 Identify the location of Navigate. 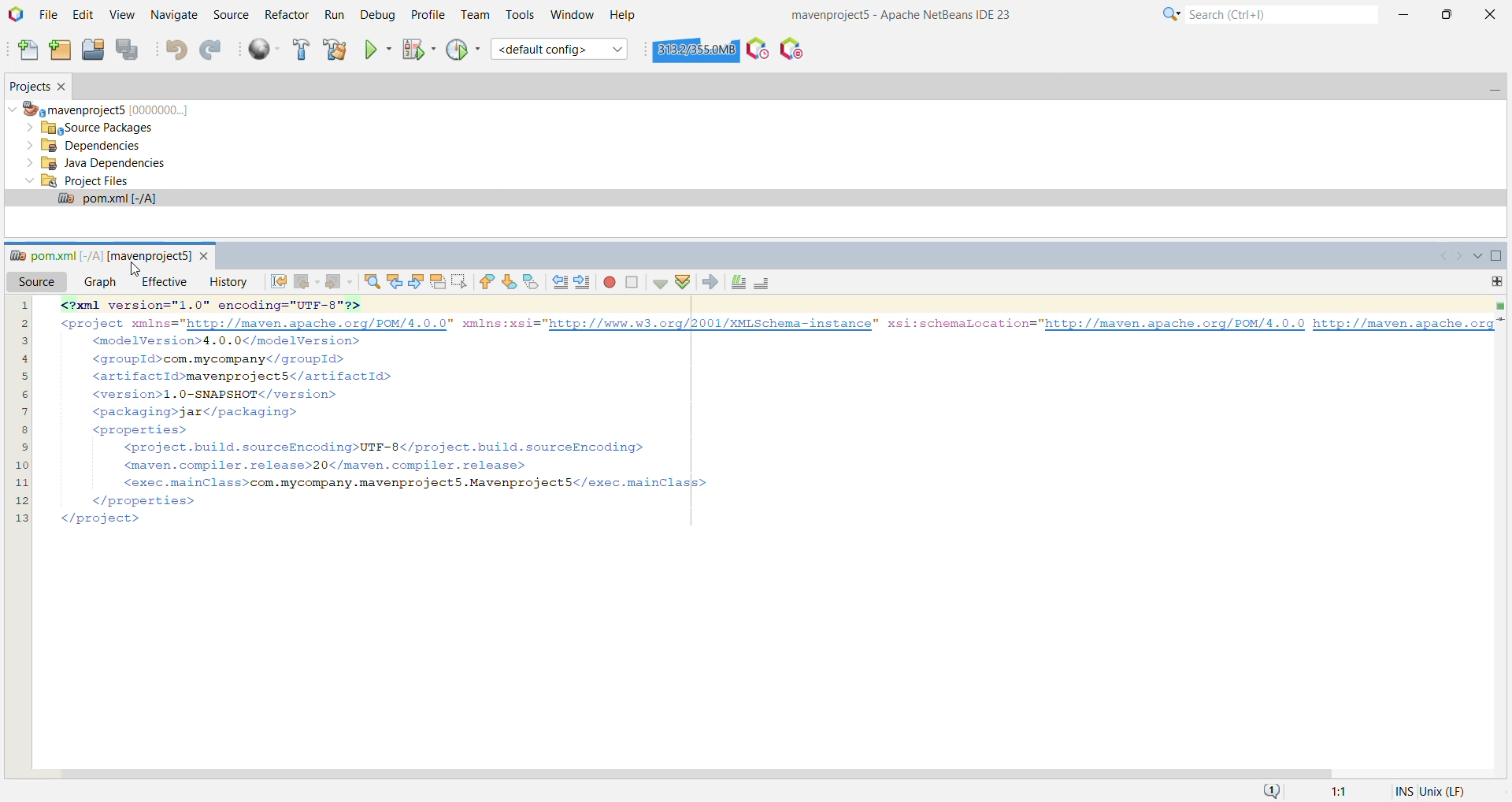
(175, 16).